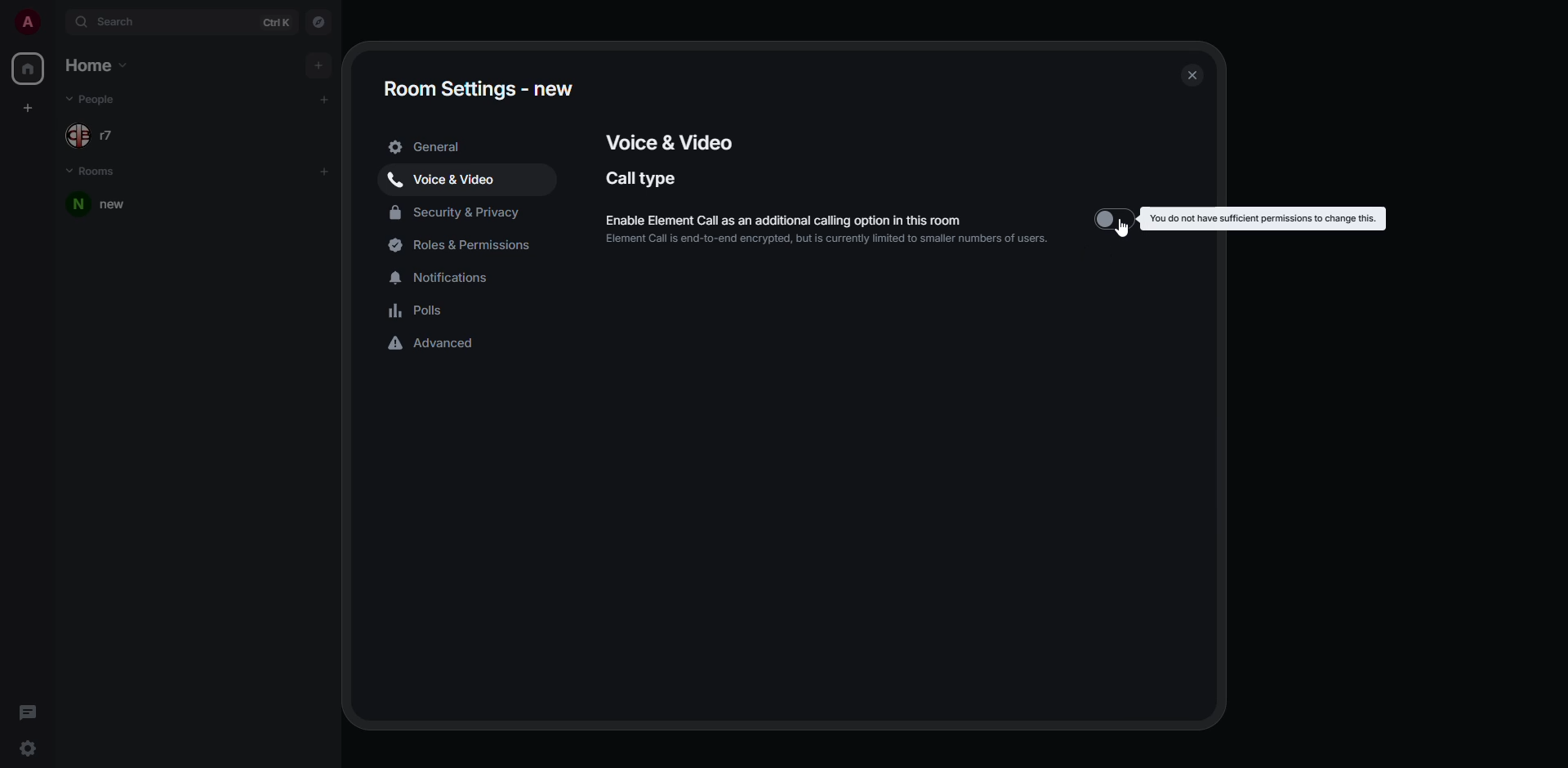 The image size is (1568, 768). I want to click on room options, so click(333, 206).